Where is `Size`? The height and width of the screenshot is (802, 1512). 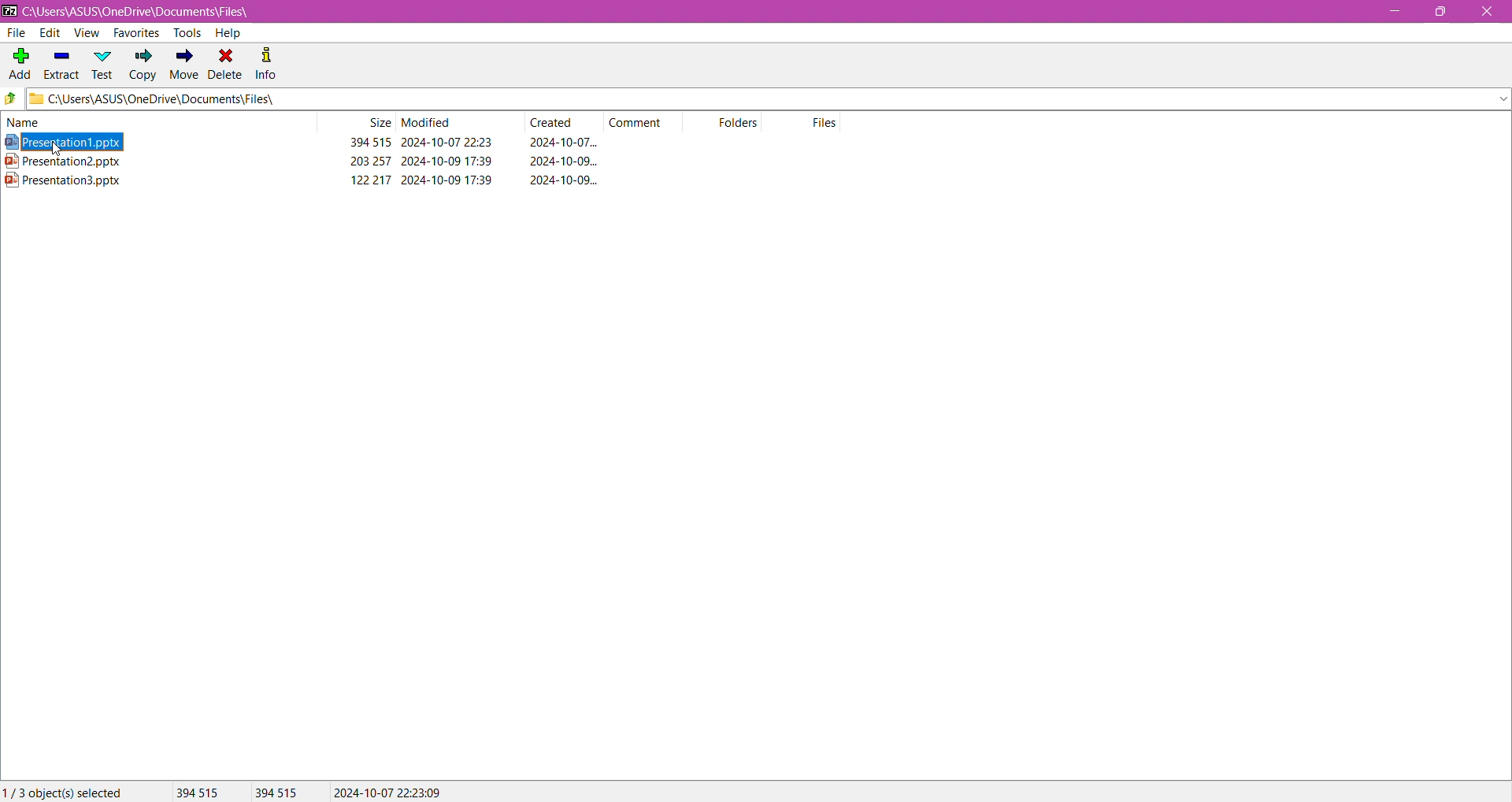 Size is located at coordinates (378, 123).